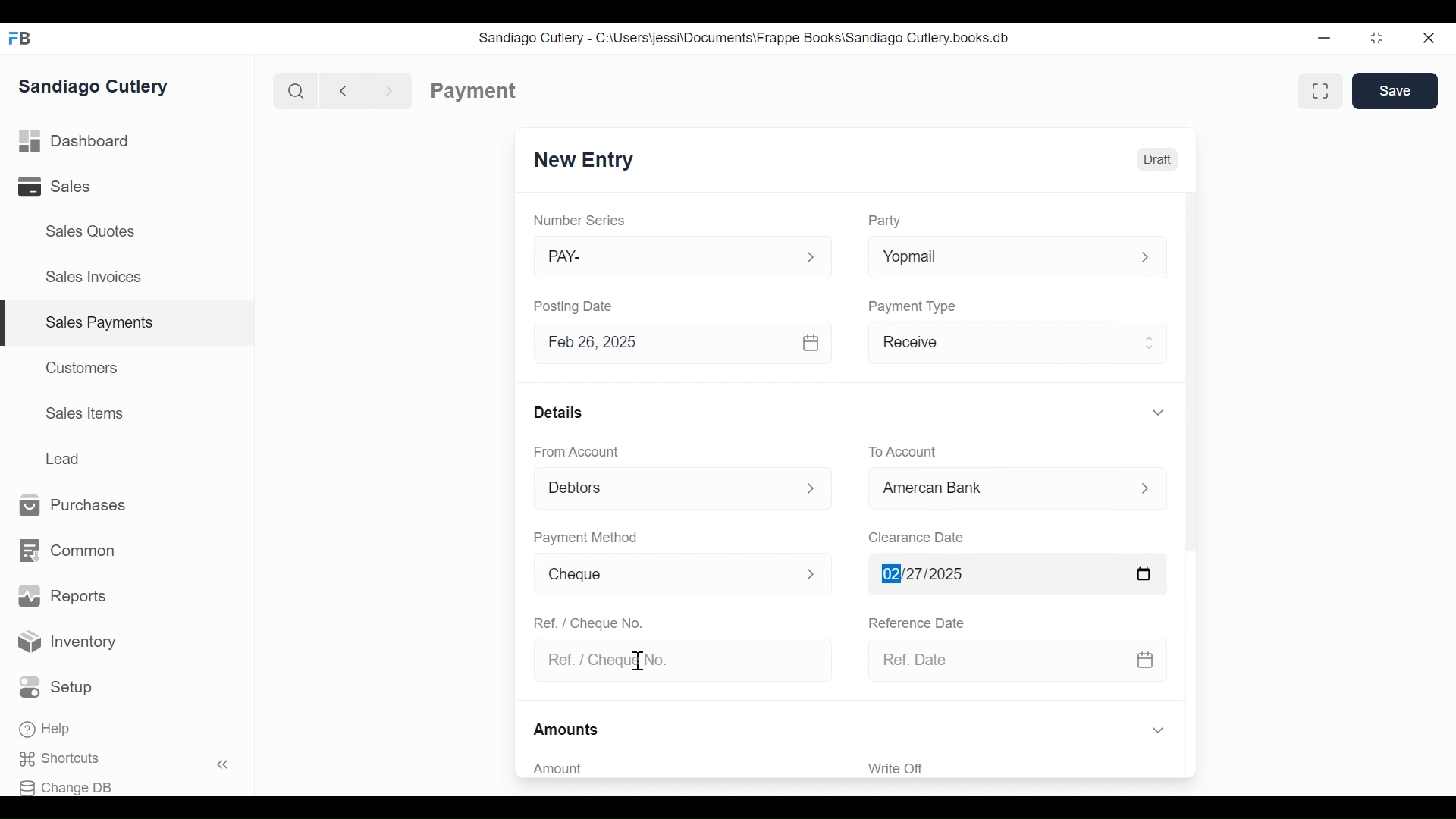 This screenshot has width=1456, height=819. I want to click on Calendar, so click(1149, 660).